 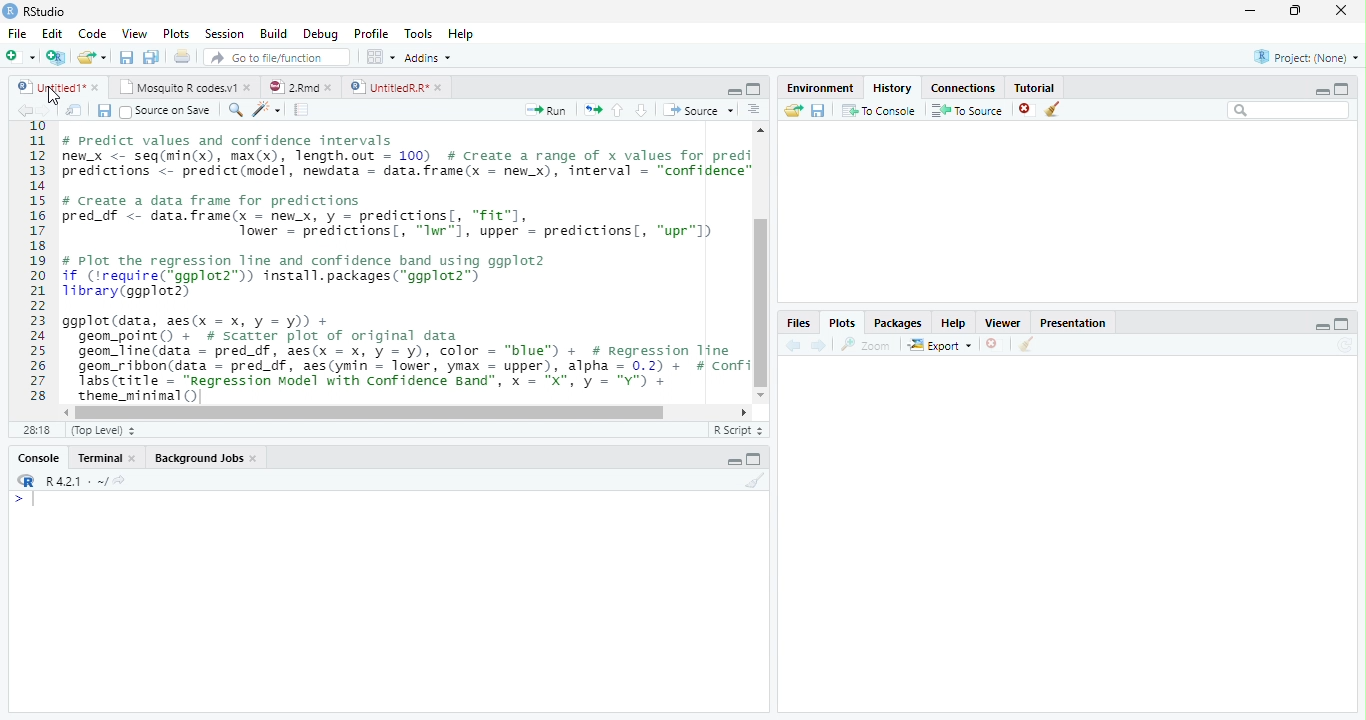 What do you see at coordinates (54, 33) in the screenshot?
I see `Edit` at bounding box center [54, 33].